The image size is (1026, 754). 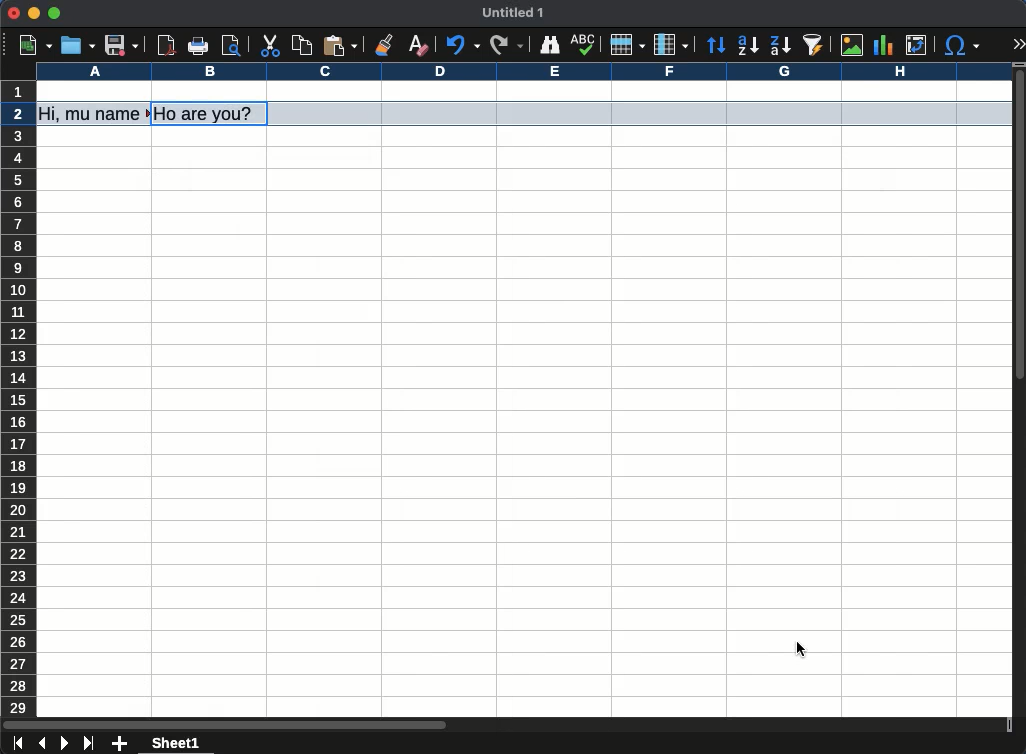 What do you see at coordinates (671, 44) in the screenshot?
I see `column` at bounding box center [671, 44].